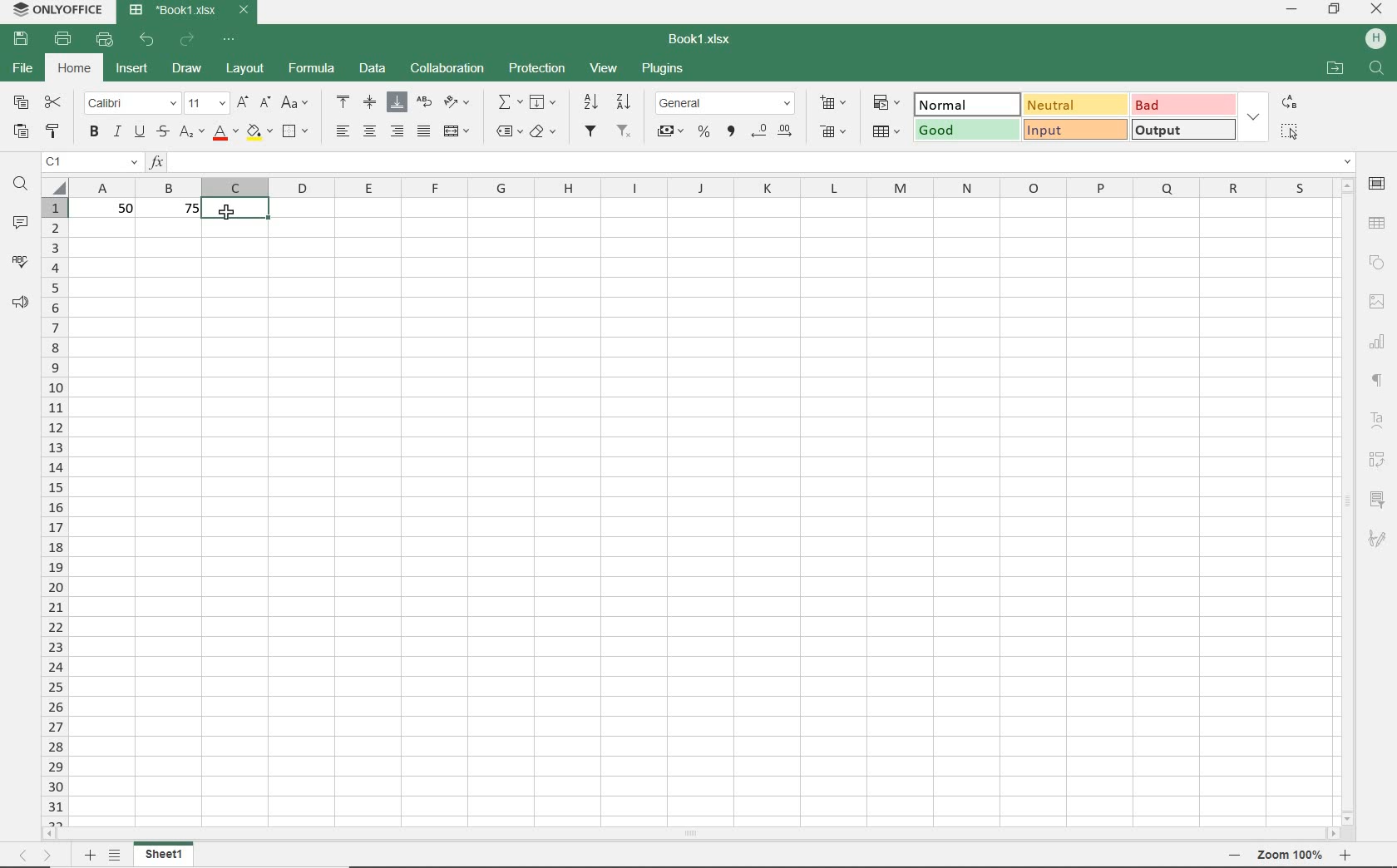  What do you see at coordinates (186, 69) in the screenshot?
I see `draw` at bounding box center [186, 69].